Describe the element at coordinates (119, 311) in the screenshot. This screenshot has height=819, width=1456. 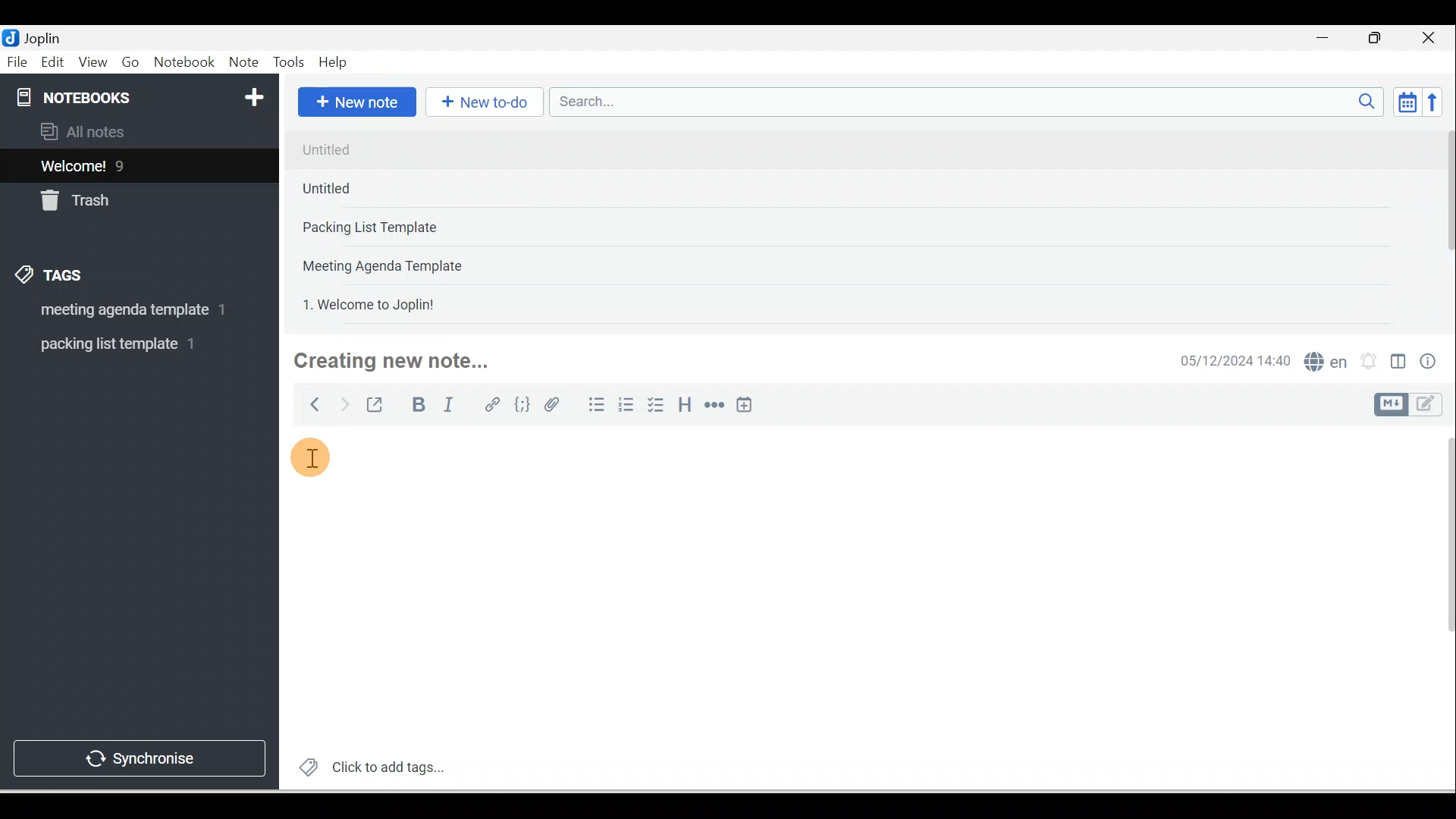
I see `Tag 1` at that location.